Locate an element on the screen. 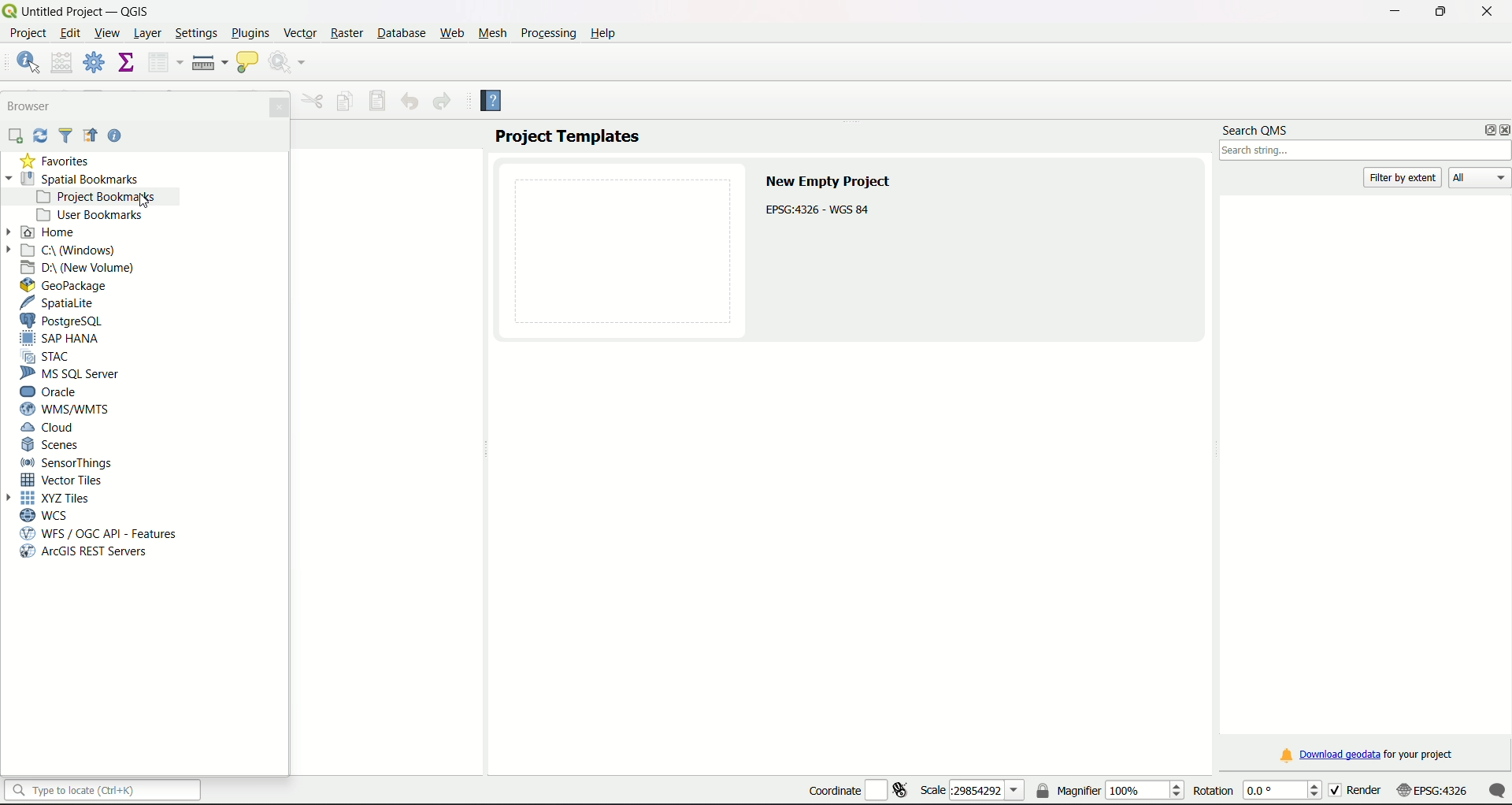 The image size is (1512, 805). download link is located at coordinates (1366, 755).